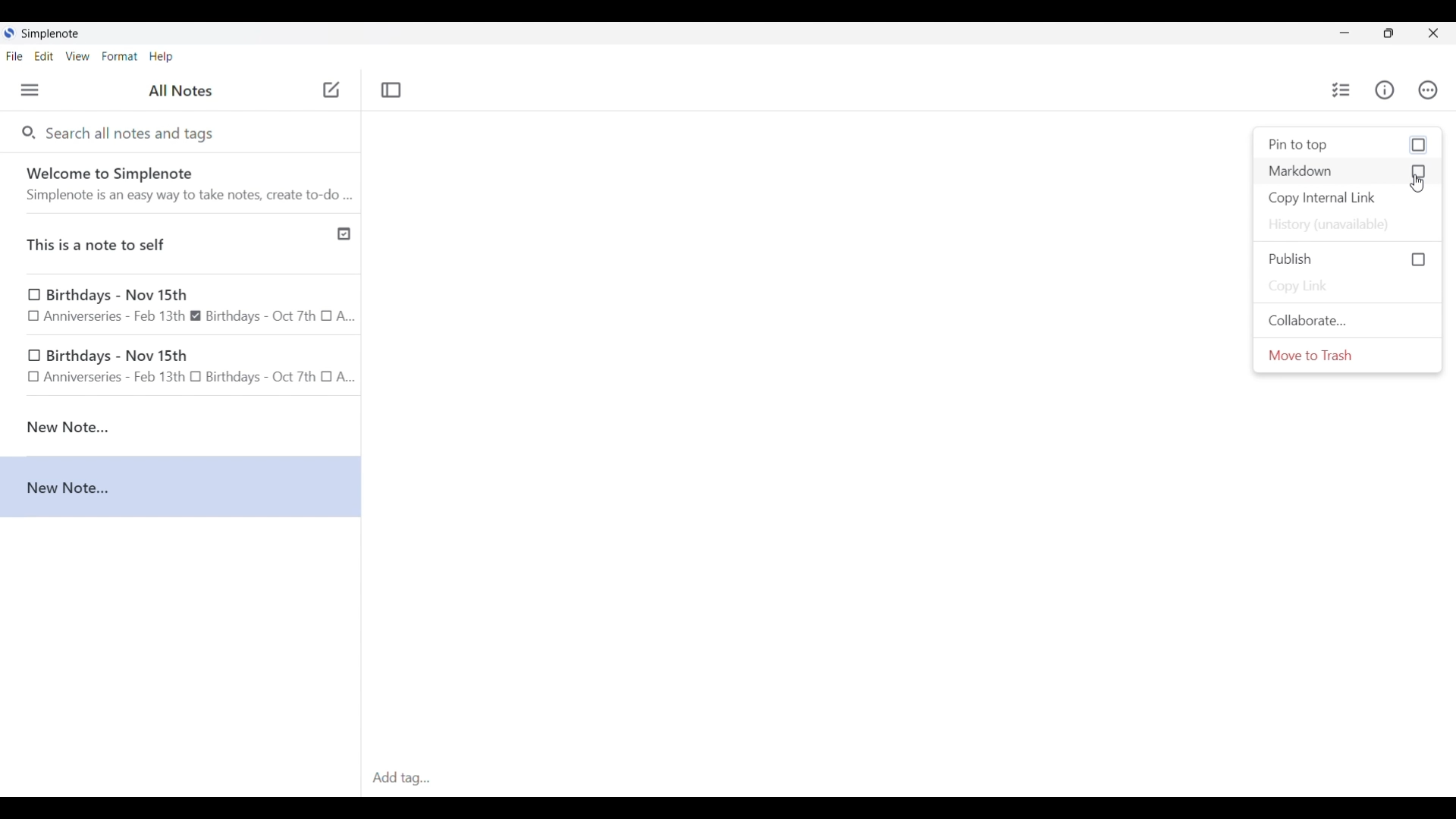 Image resolution: width=1456 pixels, height=819 pixels. What do you see at coordinates (391, 90) in the screenshot?
I see `Toggle focus mode` at bounding box center [391, 90].